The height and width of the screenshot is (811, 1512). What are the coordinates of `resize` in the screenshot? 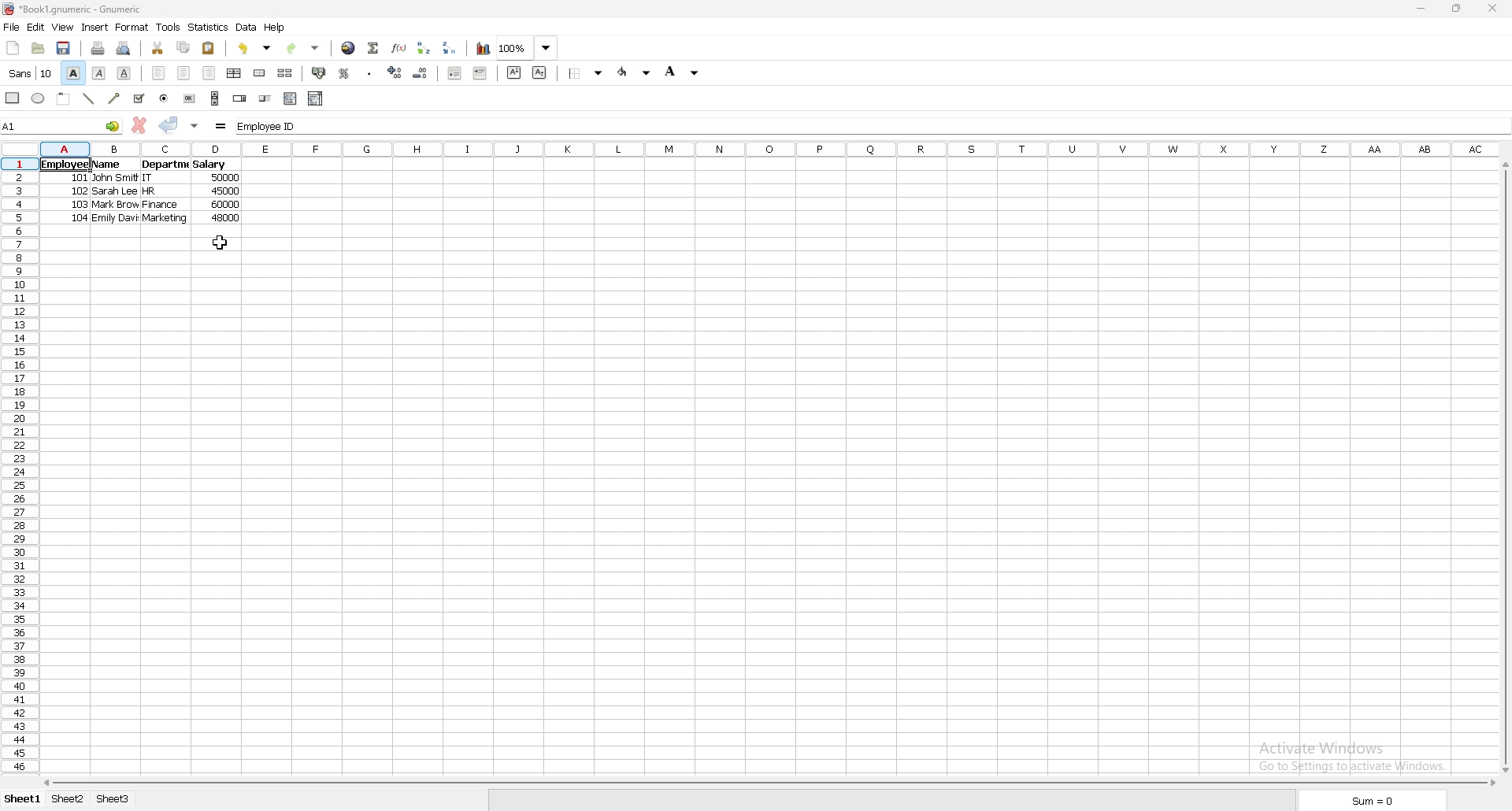 It's located at (1458, 9).